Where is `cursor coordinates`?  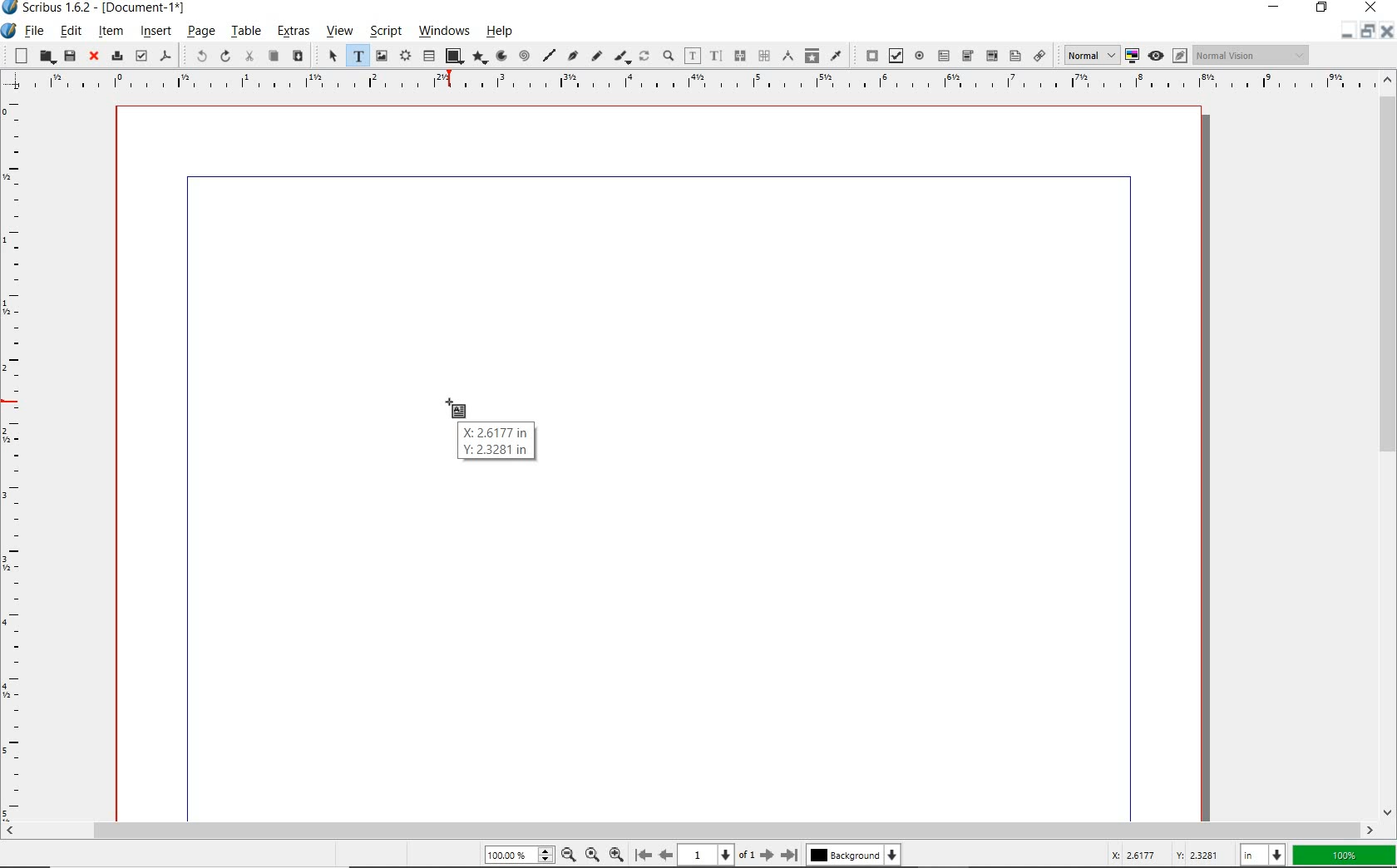 cursor coordinates is located at coordinates (1164, 855).